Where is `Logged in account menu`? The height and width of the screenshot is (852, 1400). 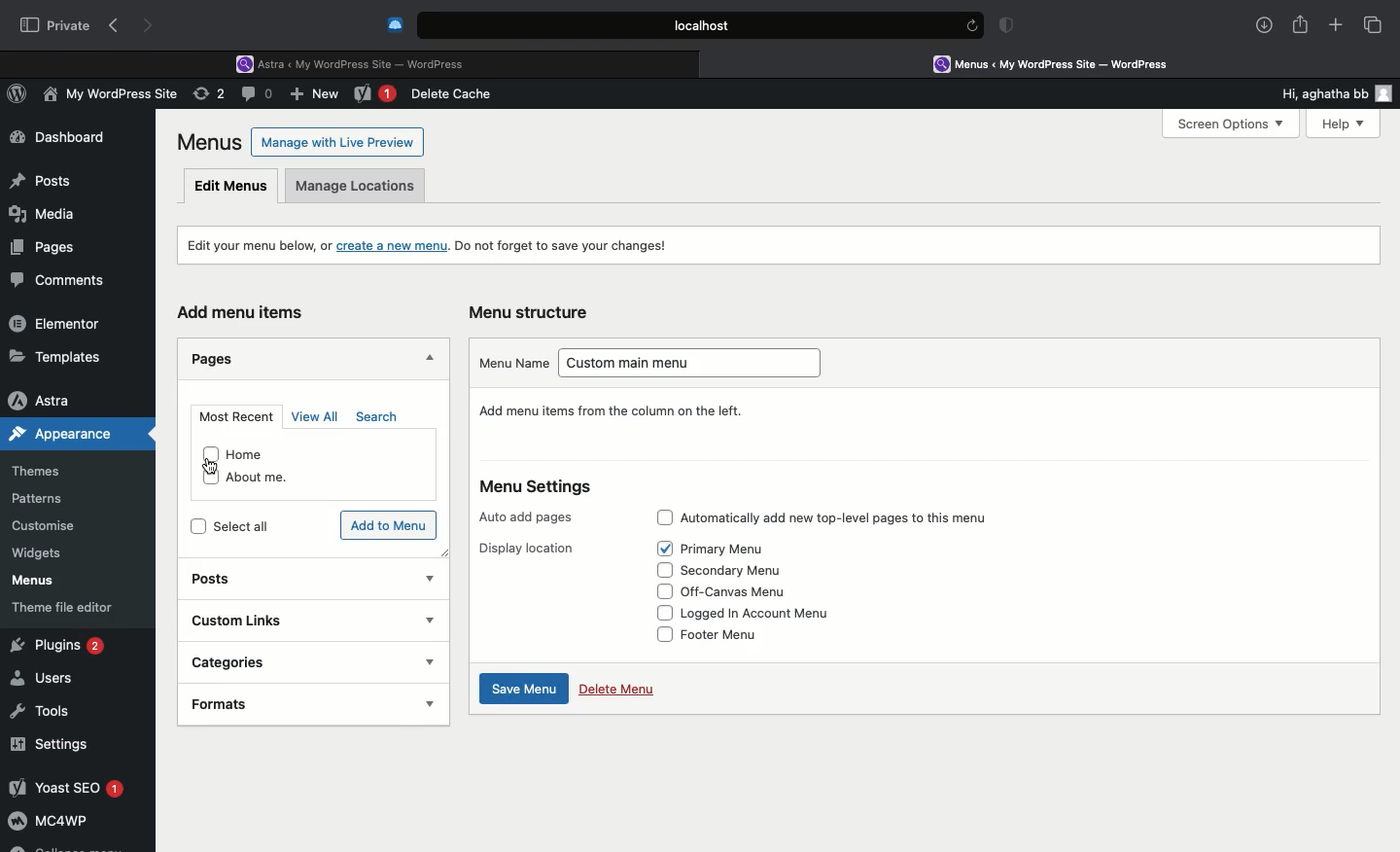 Logged in account menu is located at coordinates (769, 614).